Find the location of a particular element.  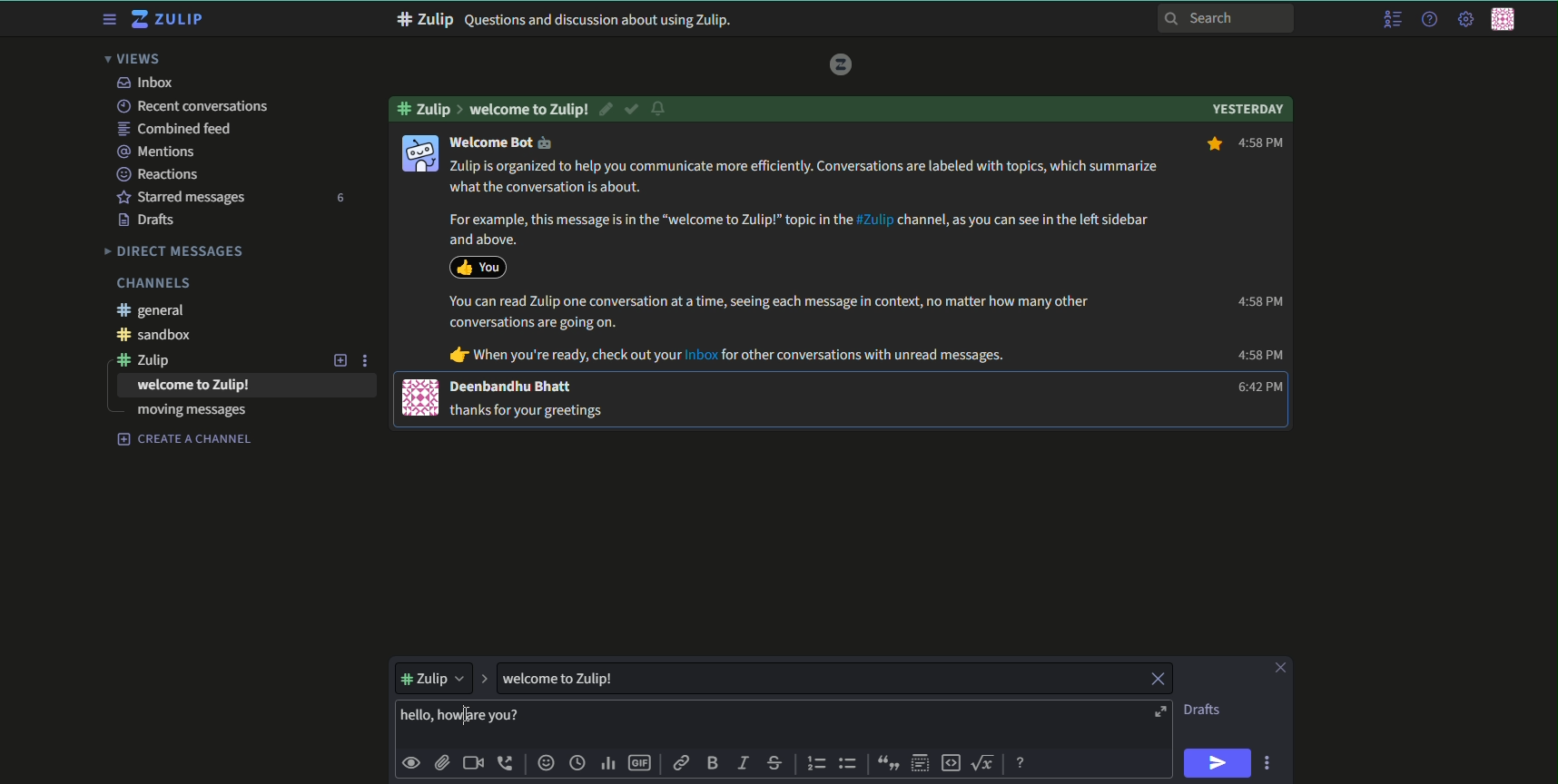

add emoji is located at coordinates (545, 763).